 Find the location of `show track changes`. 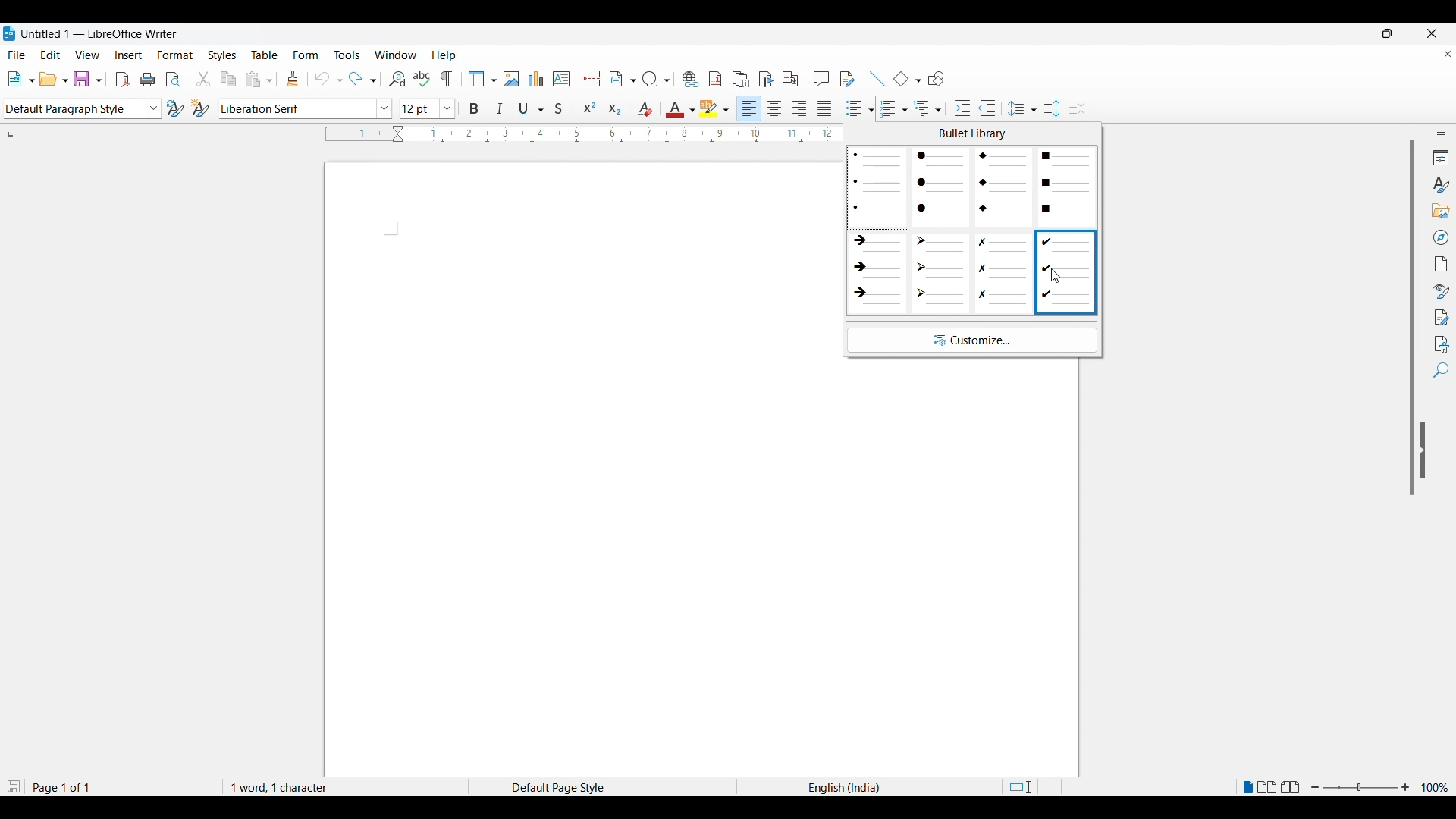

show track changes is located at coordinates (849, 78).